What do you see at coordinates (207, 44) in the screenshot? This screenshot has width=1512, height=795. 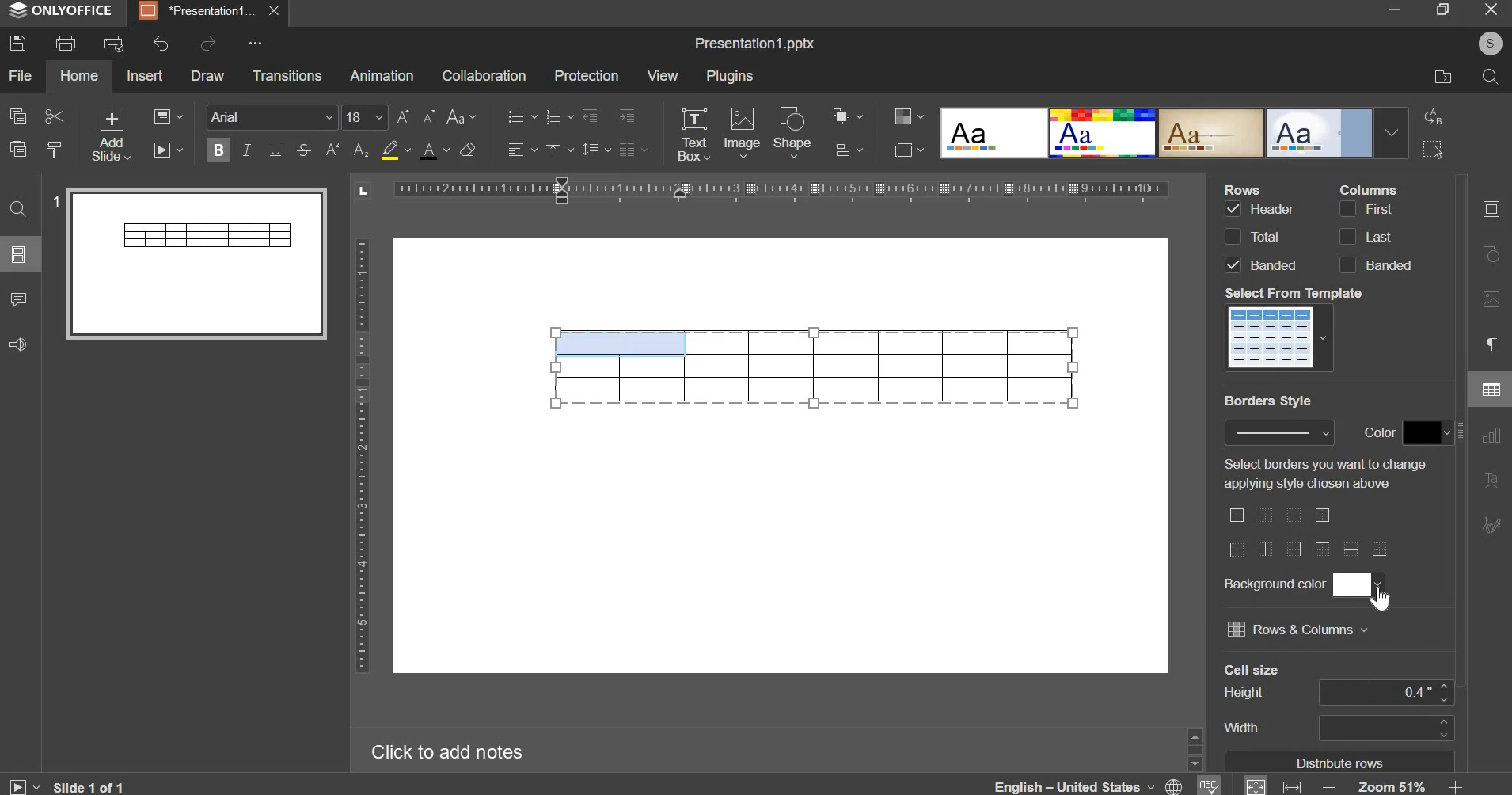 I see `redo` at bounding box center [207, 44].